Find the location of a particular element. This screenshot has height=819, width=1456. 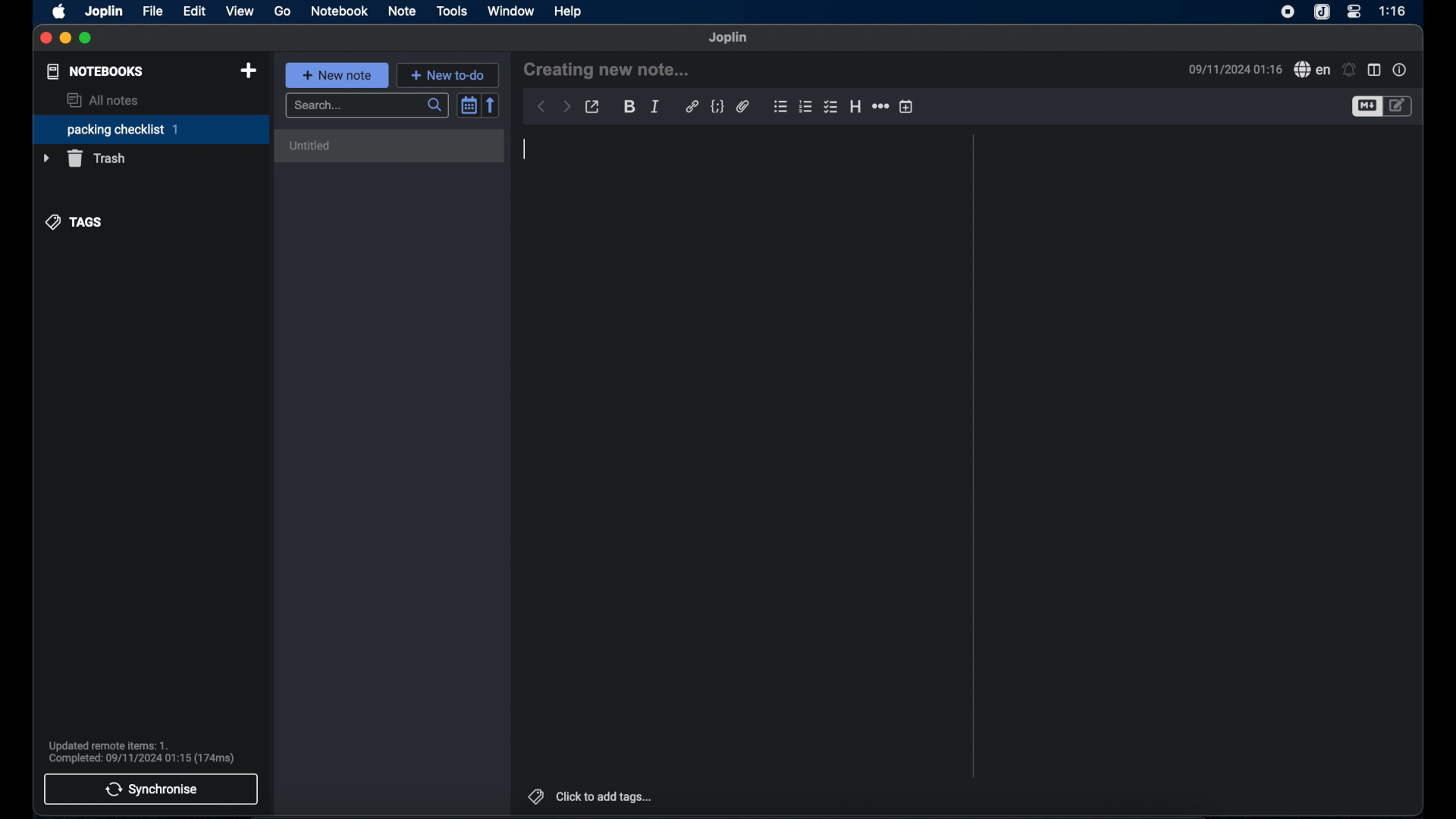

help is located at coordinates (569, 11).